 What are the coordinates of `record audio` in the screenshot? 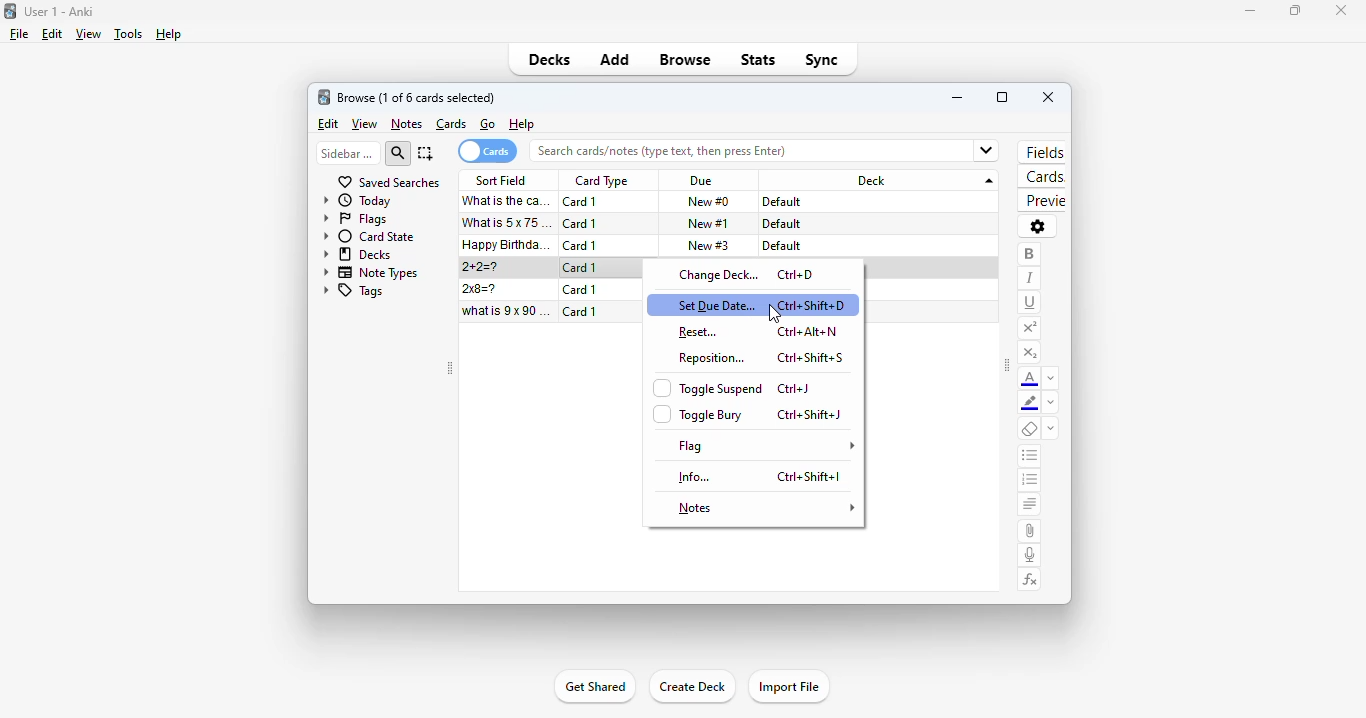 It's located at (1030, 555).